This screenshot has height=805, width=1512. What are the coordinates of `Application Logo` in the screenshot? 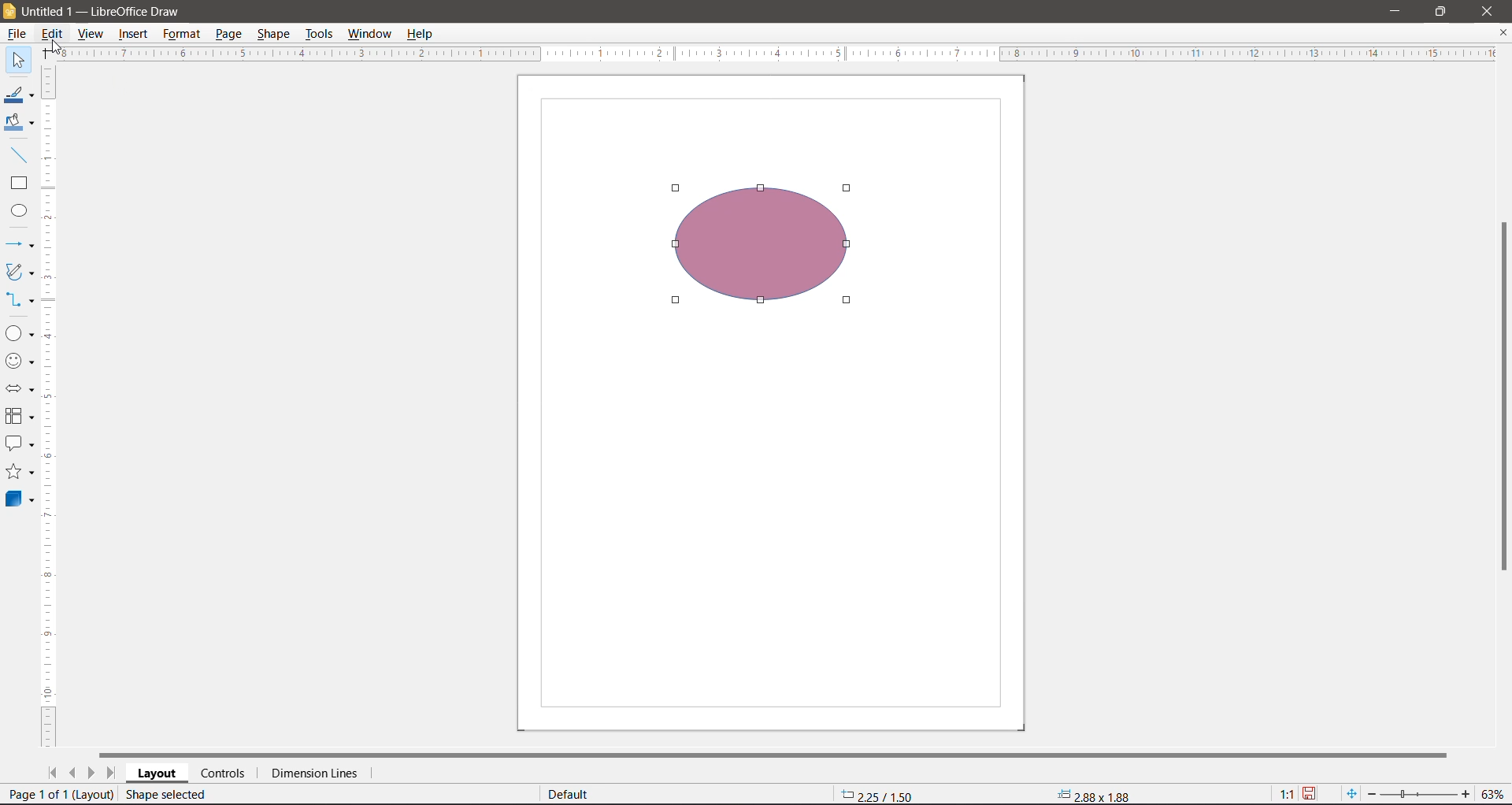 It's located at (9, 10).